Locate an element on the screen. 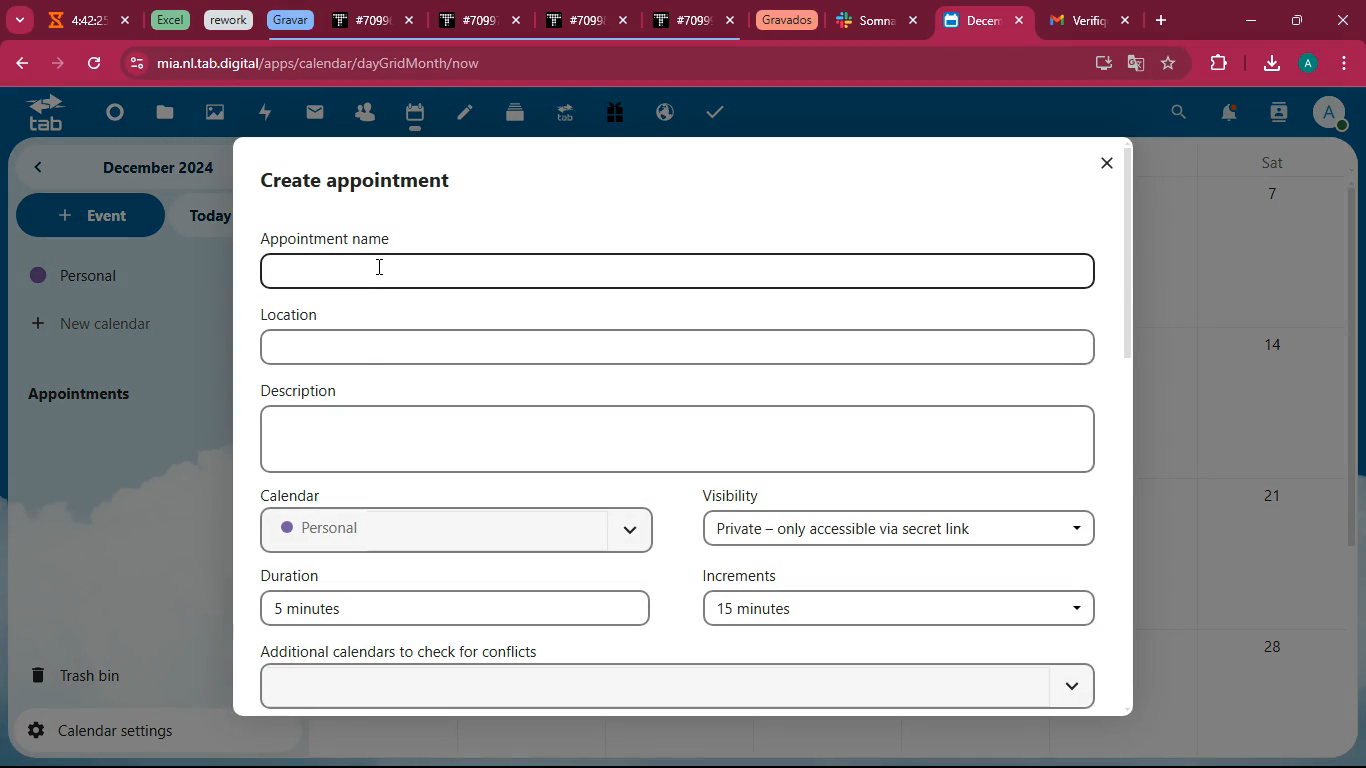 The image size is (1366, 768). event is located at coordinates (88, 215).